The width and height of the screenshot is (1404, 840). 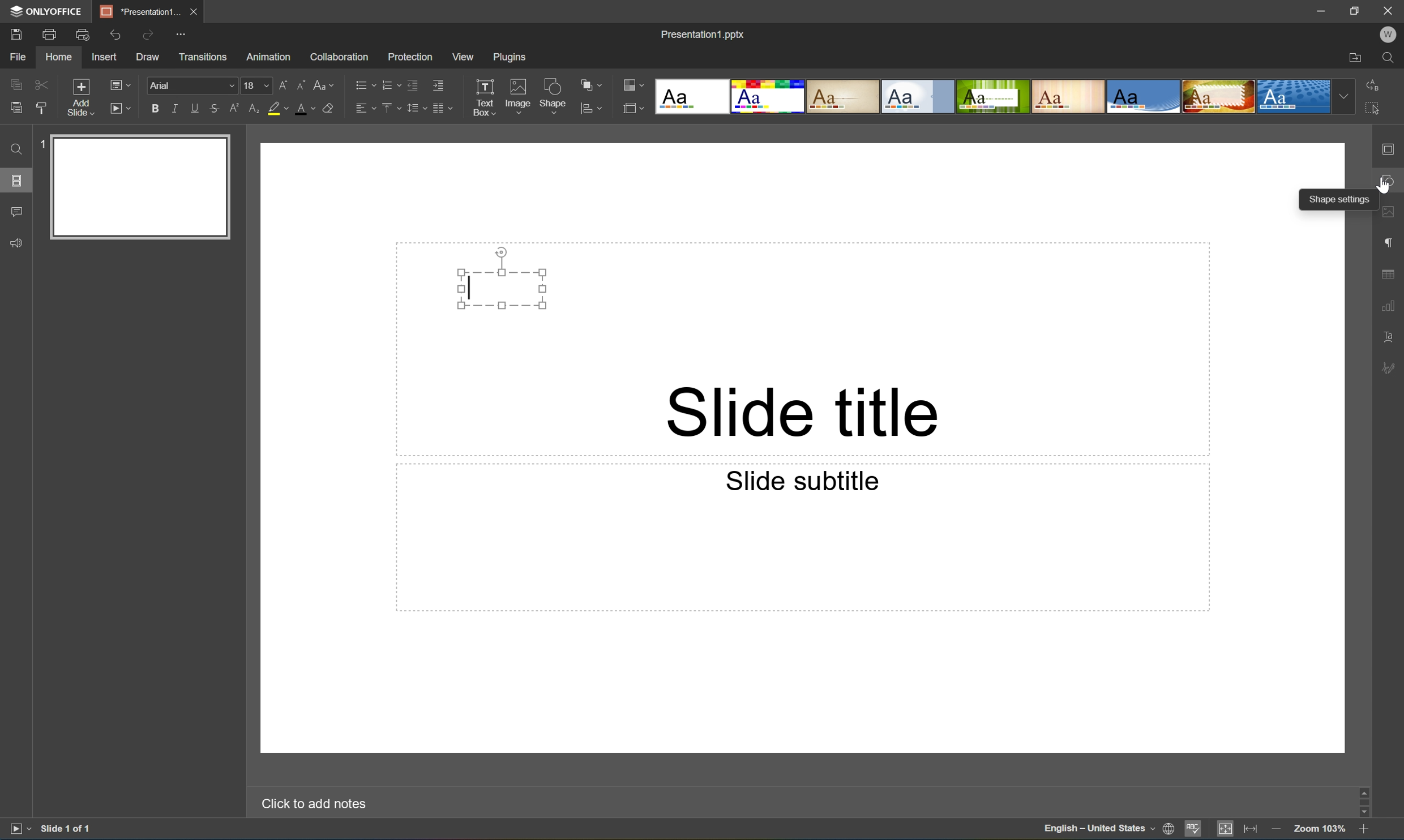 What do you see at coordinates (311, 802) in the screenshot?
I see `Click to add notes` at bounding box center [311, 802].